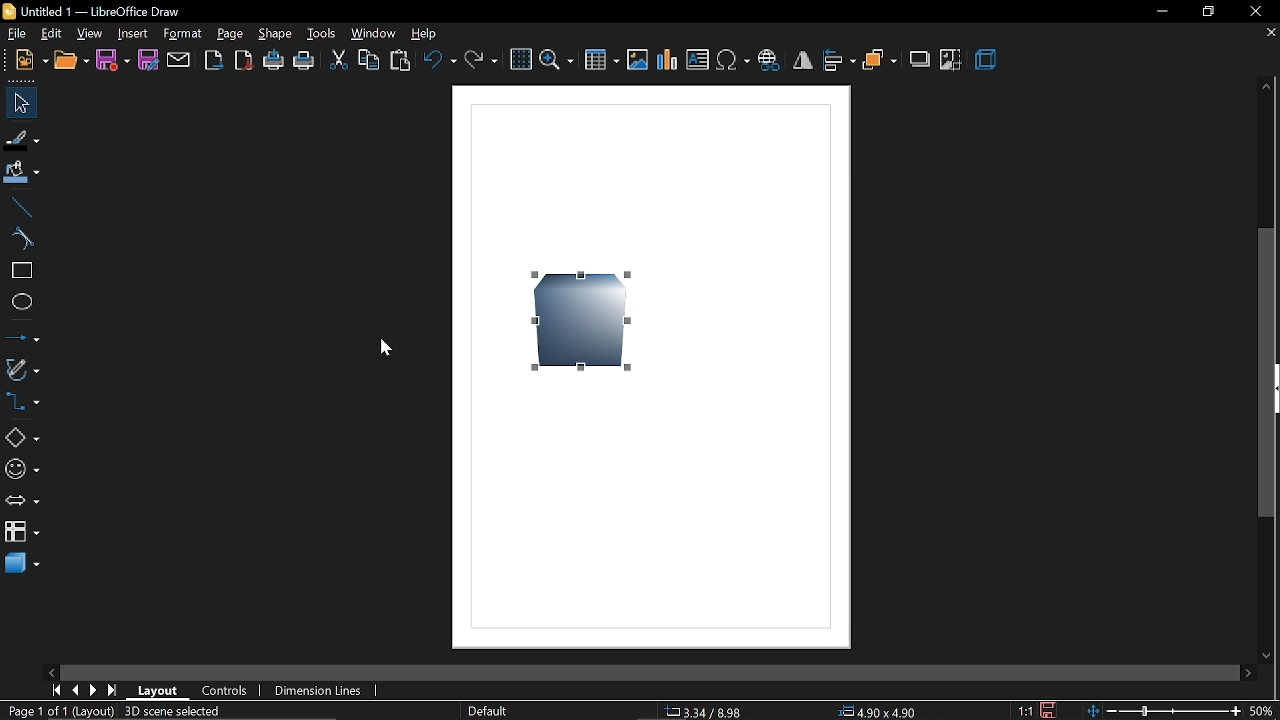 The width and height of the screenshot is (1280, 720). Describe the element at coordinates (25, 567) in the screenshot. I see `3d shapes` at that location.